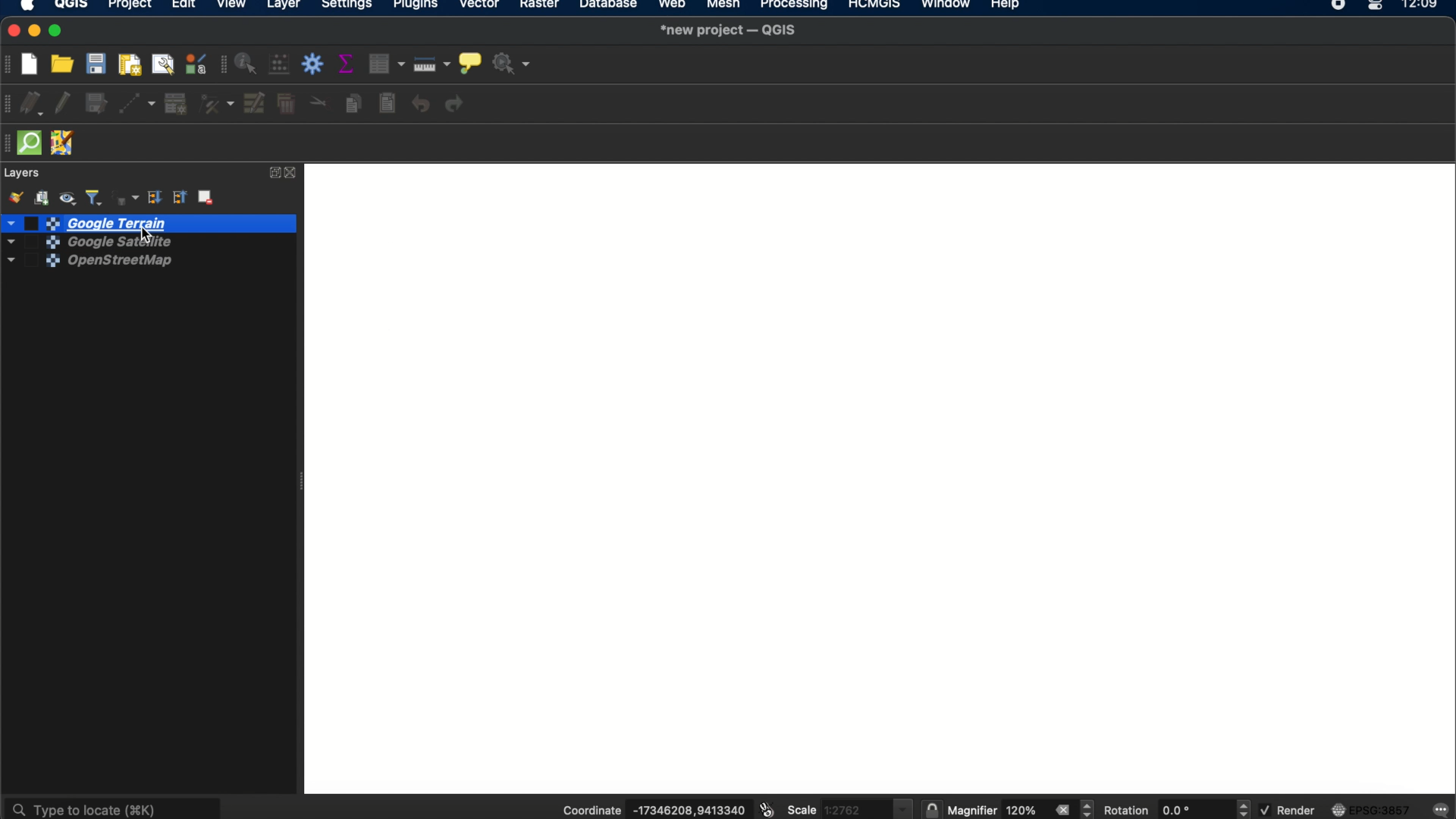 The height and width of the screenshot is (819, 1456). I want to click on collapse all, so click(180, 198).